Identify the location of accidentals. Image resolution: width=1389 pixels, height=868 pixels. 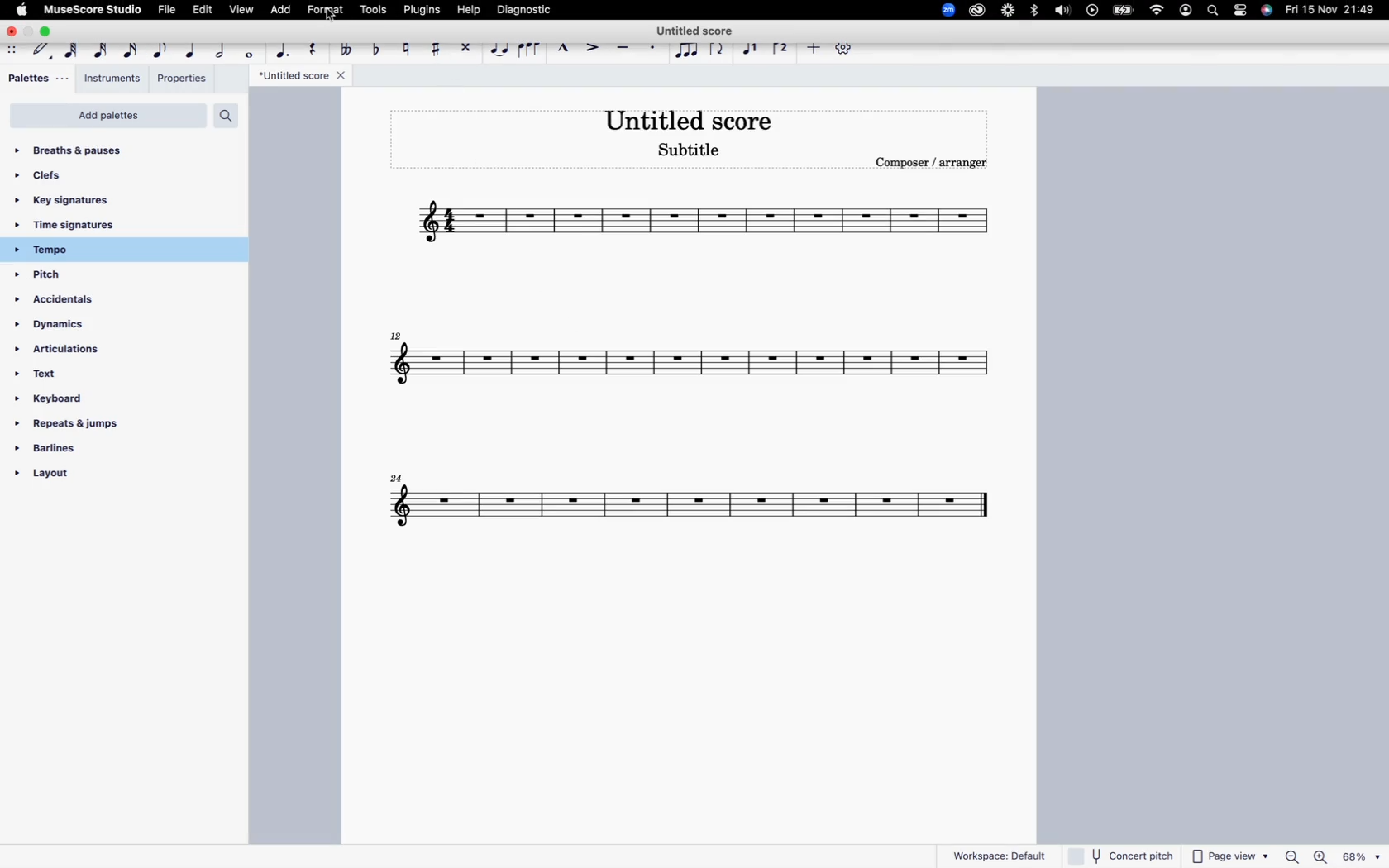
(68, 303).